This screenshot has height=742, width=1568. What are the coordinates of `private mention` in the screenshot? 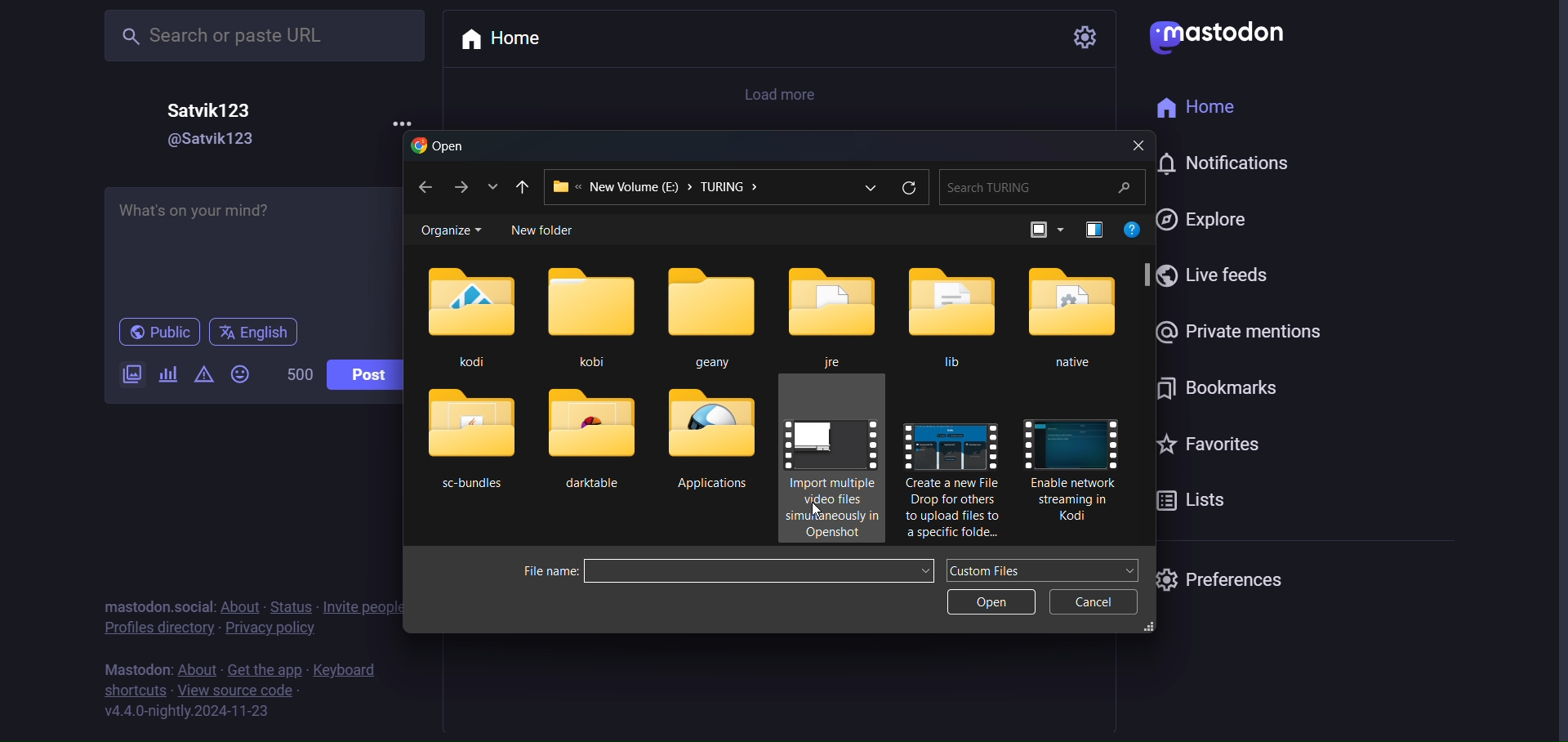 It's located at (1234, 330).